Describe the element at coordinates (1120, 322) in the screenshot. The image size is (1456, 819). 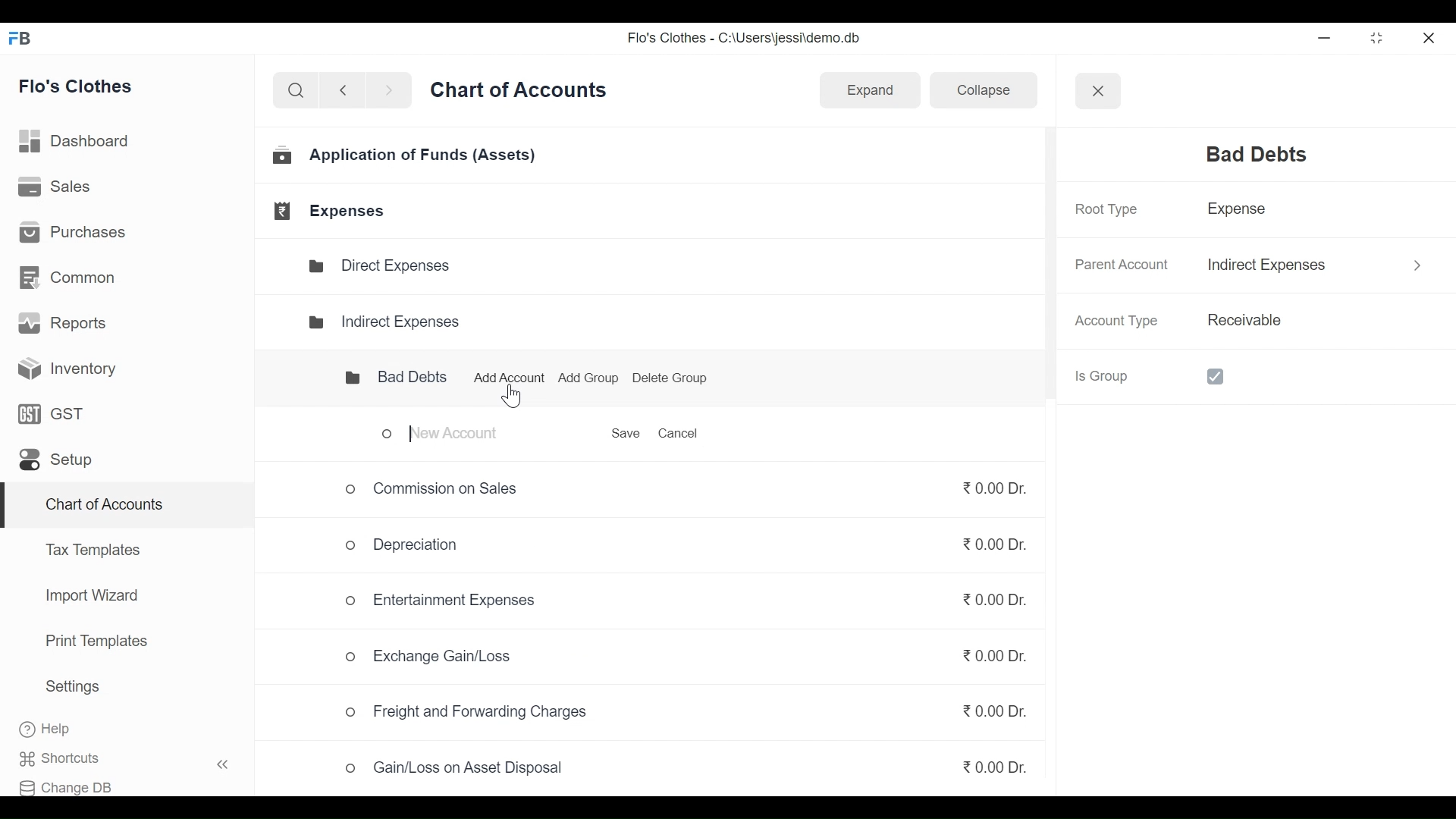
I see `Account Type` at that location.